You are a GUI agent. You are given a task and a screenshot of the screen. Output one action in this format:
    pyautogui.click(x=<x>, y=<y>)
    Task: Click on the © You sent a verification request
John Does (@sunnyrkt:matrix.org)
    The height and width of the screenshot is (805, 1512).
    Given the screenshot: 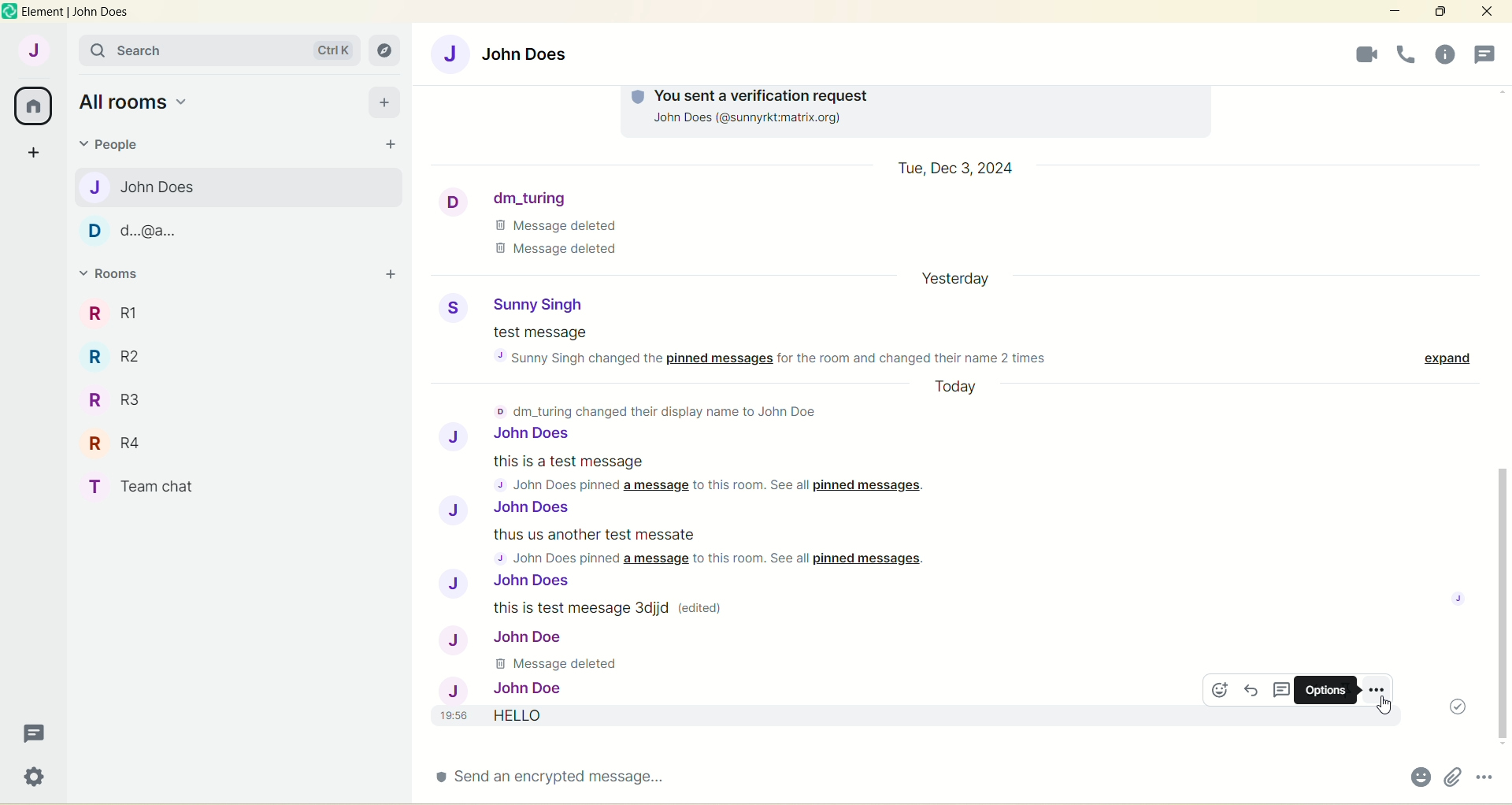 What is the action you would take?
    pyautogui.click(x=757, y=112)
    